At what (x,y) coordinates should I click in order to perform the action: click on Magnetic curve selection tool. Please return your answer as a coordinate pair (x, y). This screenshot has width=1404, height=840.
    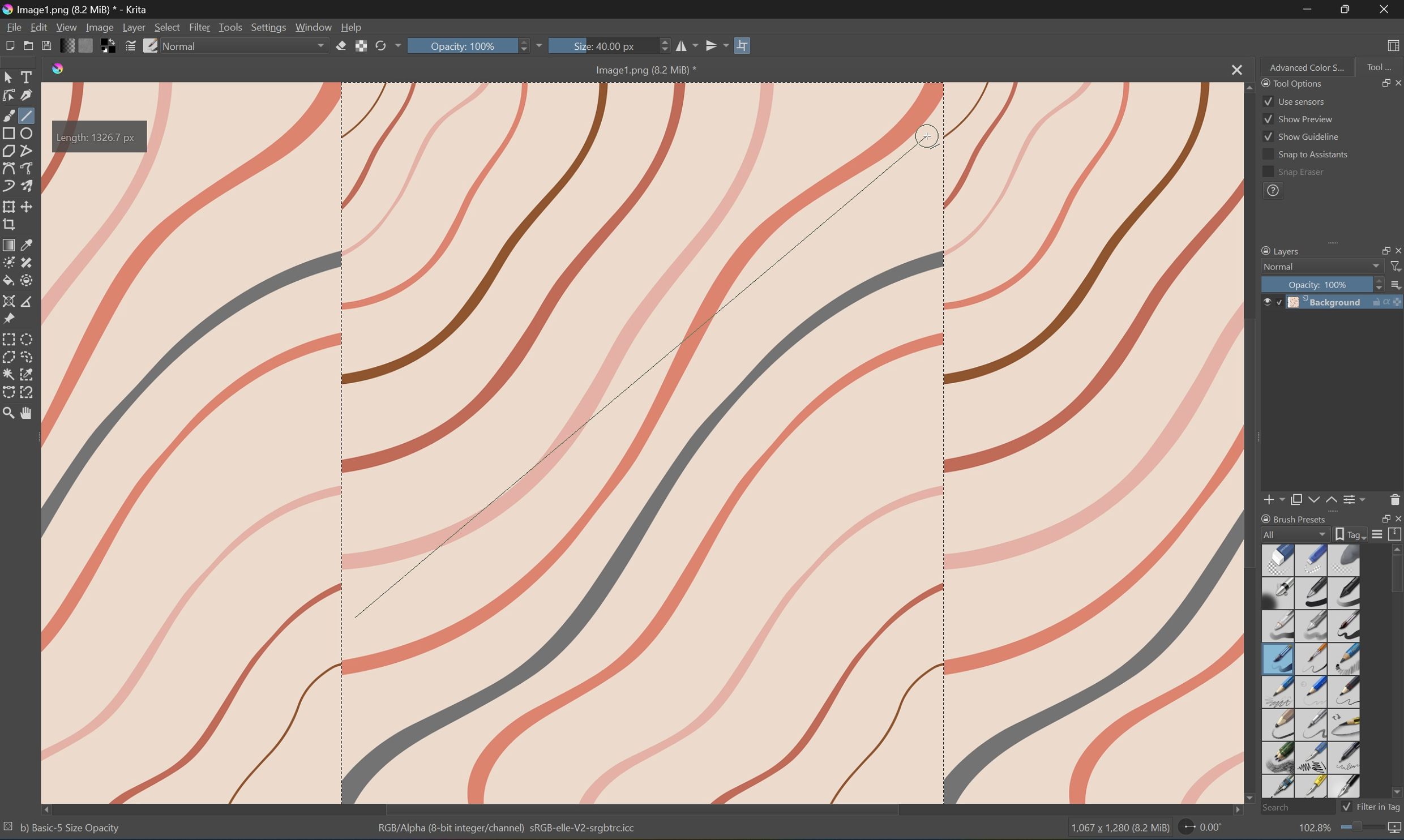
    Looking at the image, I should click on (29, 392).